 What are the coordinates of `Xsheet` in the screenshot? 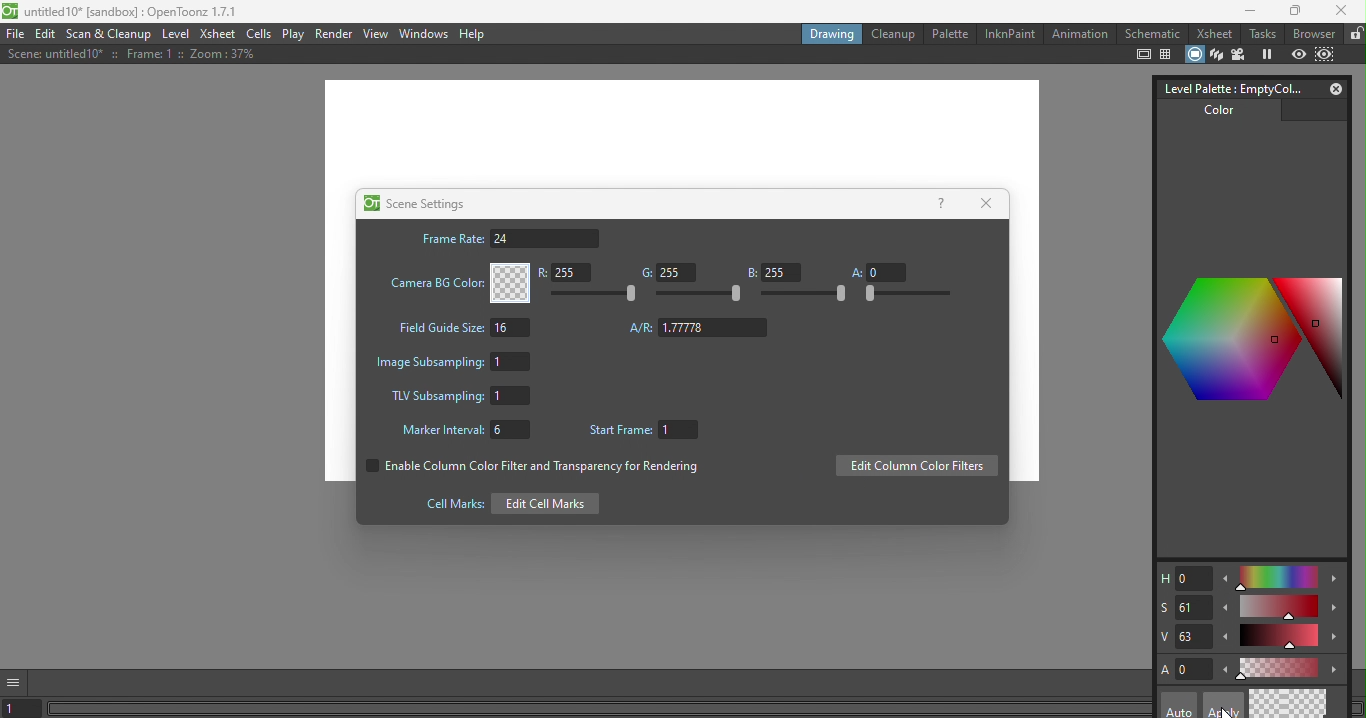 It's located at (1212, 34).